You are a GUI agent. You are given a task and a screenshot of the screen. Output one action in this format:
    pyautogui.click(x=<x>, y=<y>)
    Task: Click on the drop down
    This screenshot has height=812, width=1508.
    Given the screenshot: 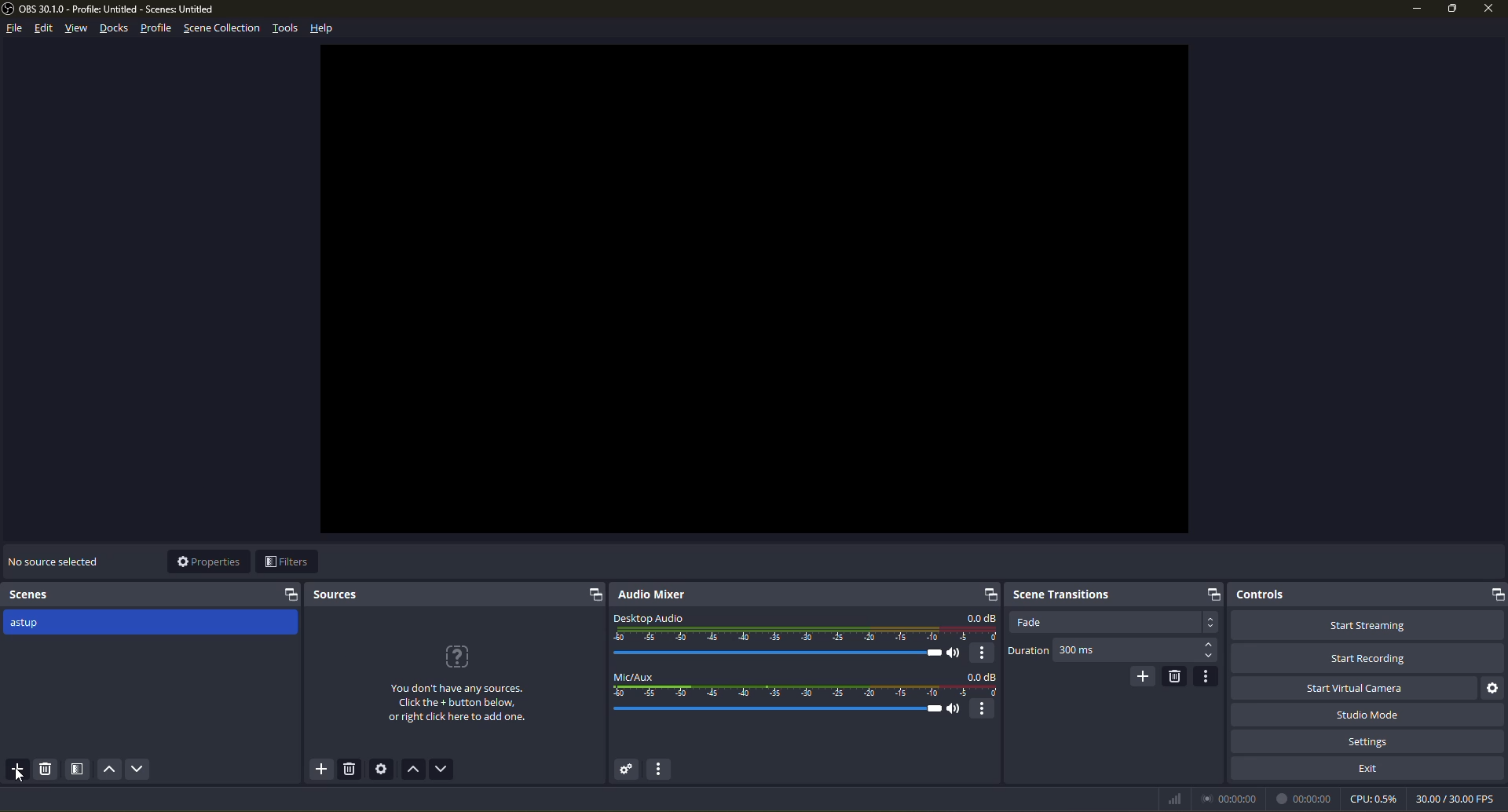 What is the action you would take?
    pyautogui.click(x=1210, y=623)
    